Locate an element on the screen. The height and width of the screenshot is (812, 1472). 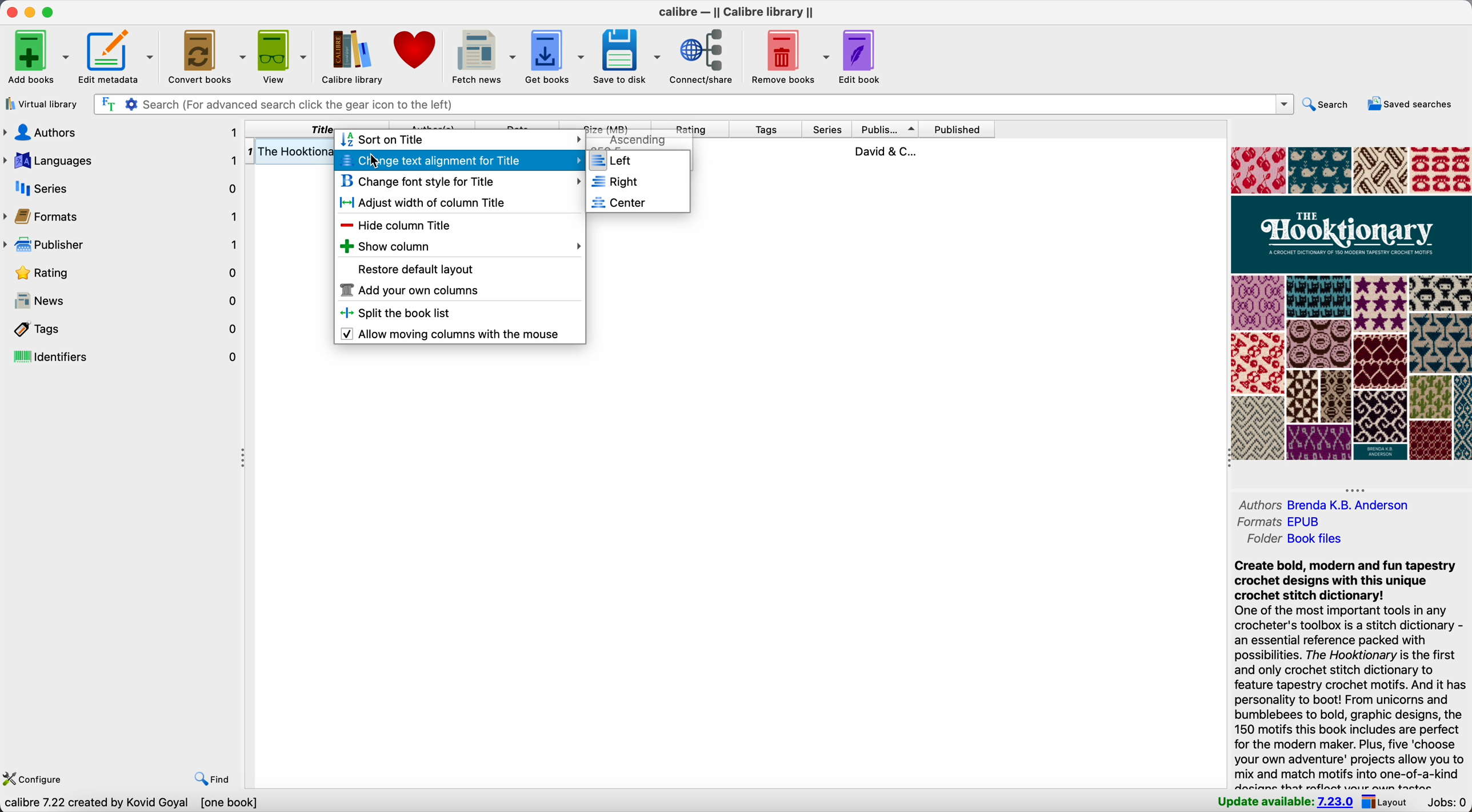
book is located at coordinates (844, 151).